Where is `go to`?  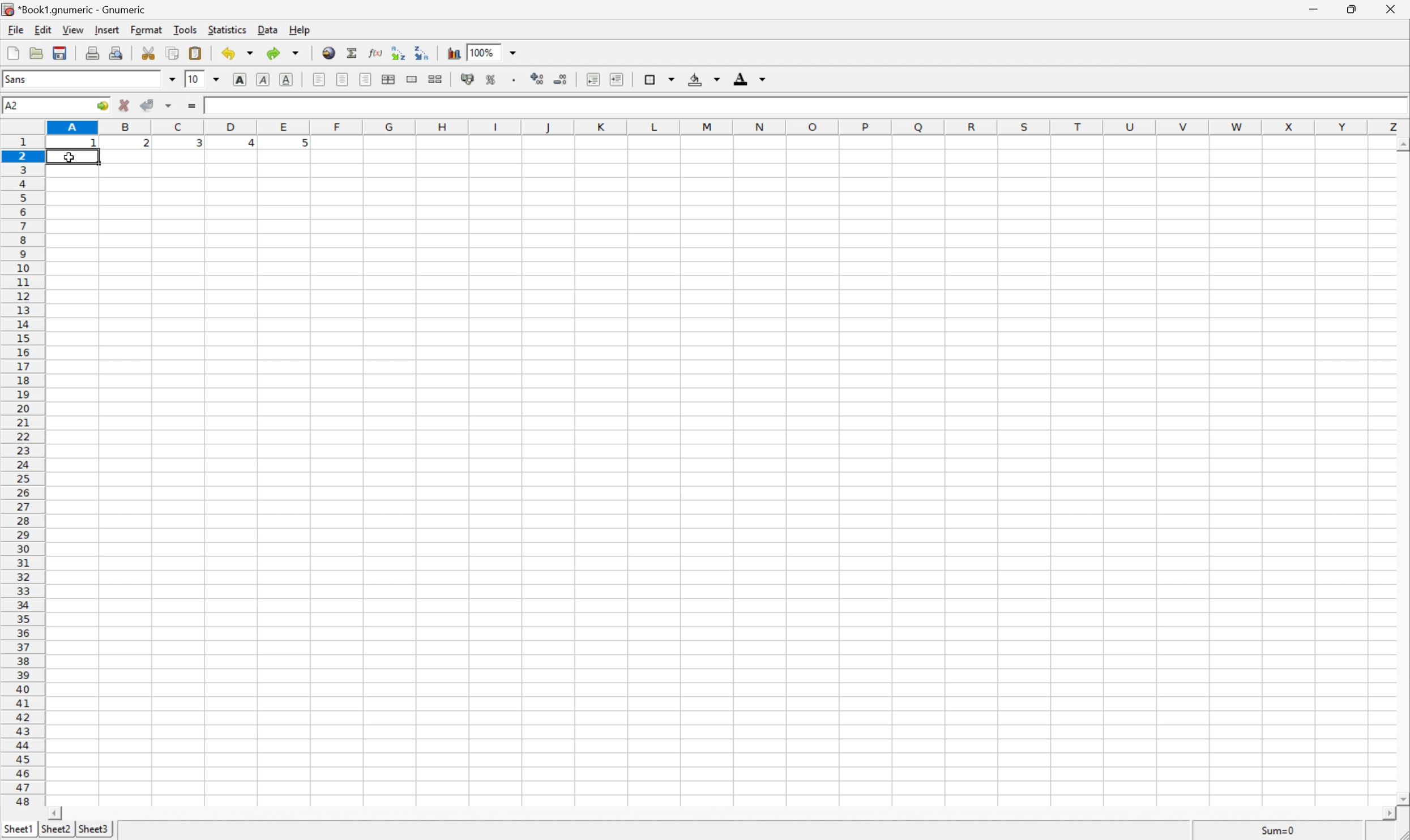 go to is located at coordinates (103, 106).